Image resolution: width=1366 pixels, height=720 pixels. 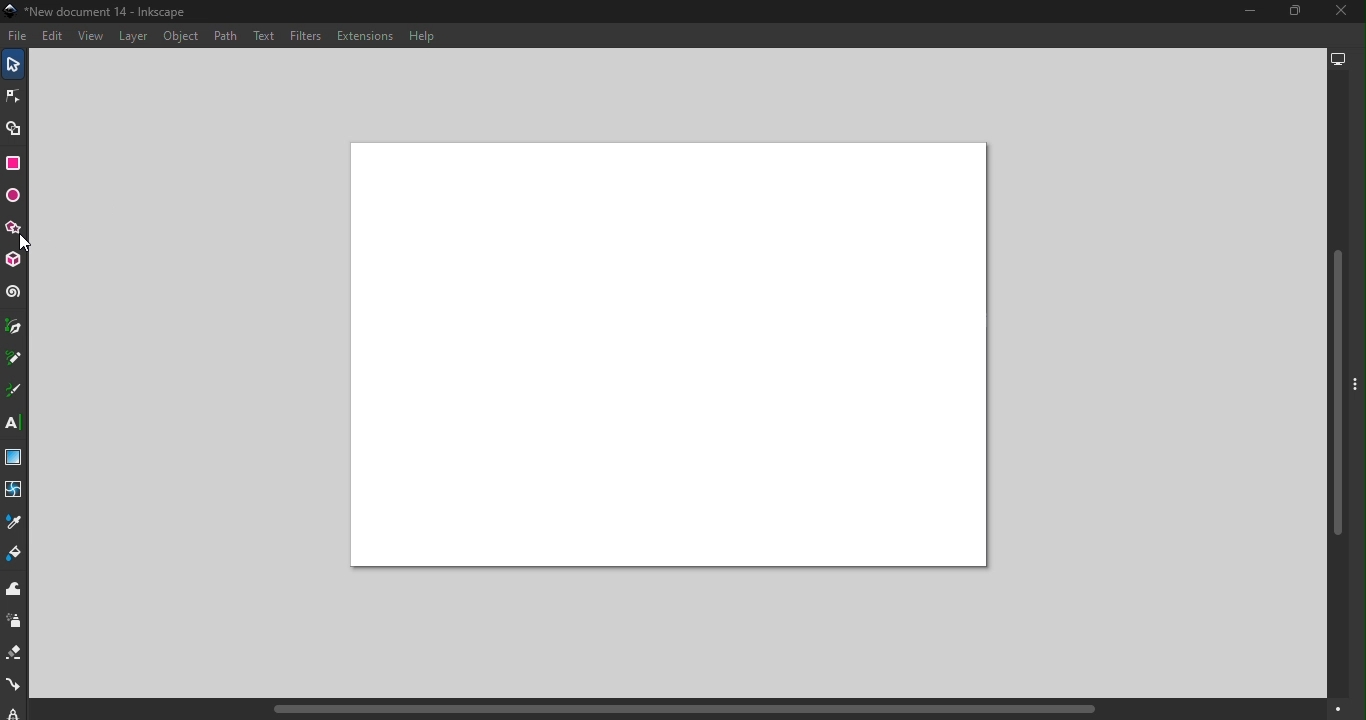 I want to click on Edit, so click(x=52, y=37).